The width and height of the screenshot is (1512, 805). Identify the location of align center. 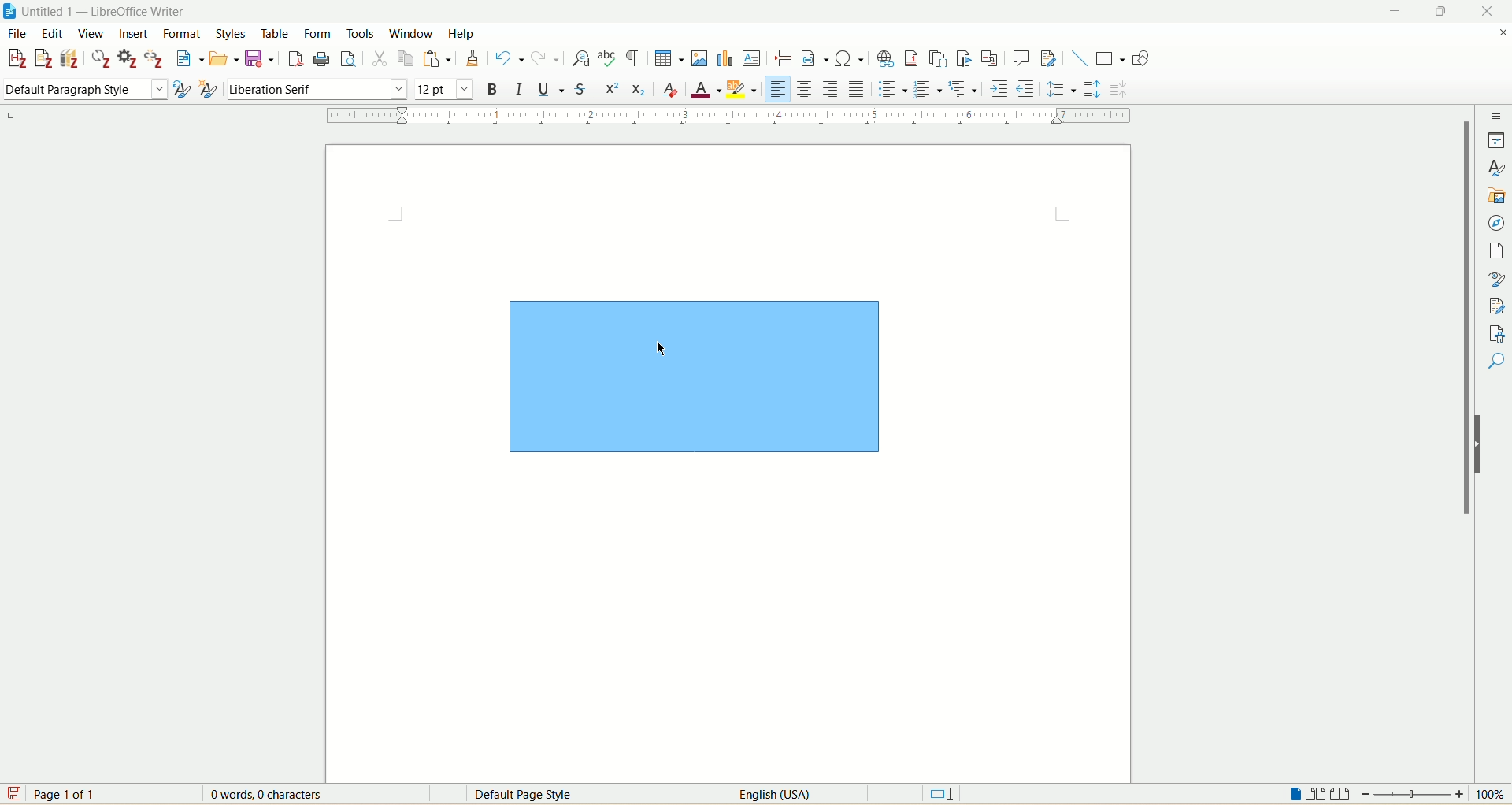
(806, 90).